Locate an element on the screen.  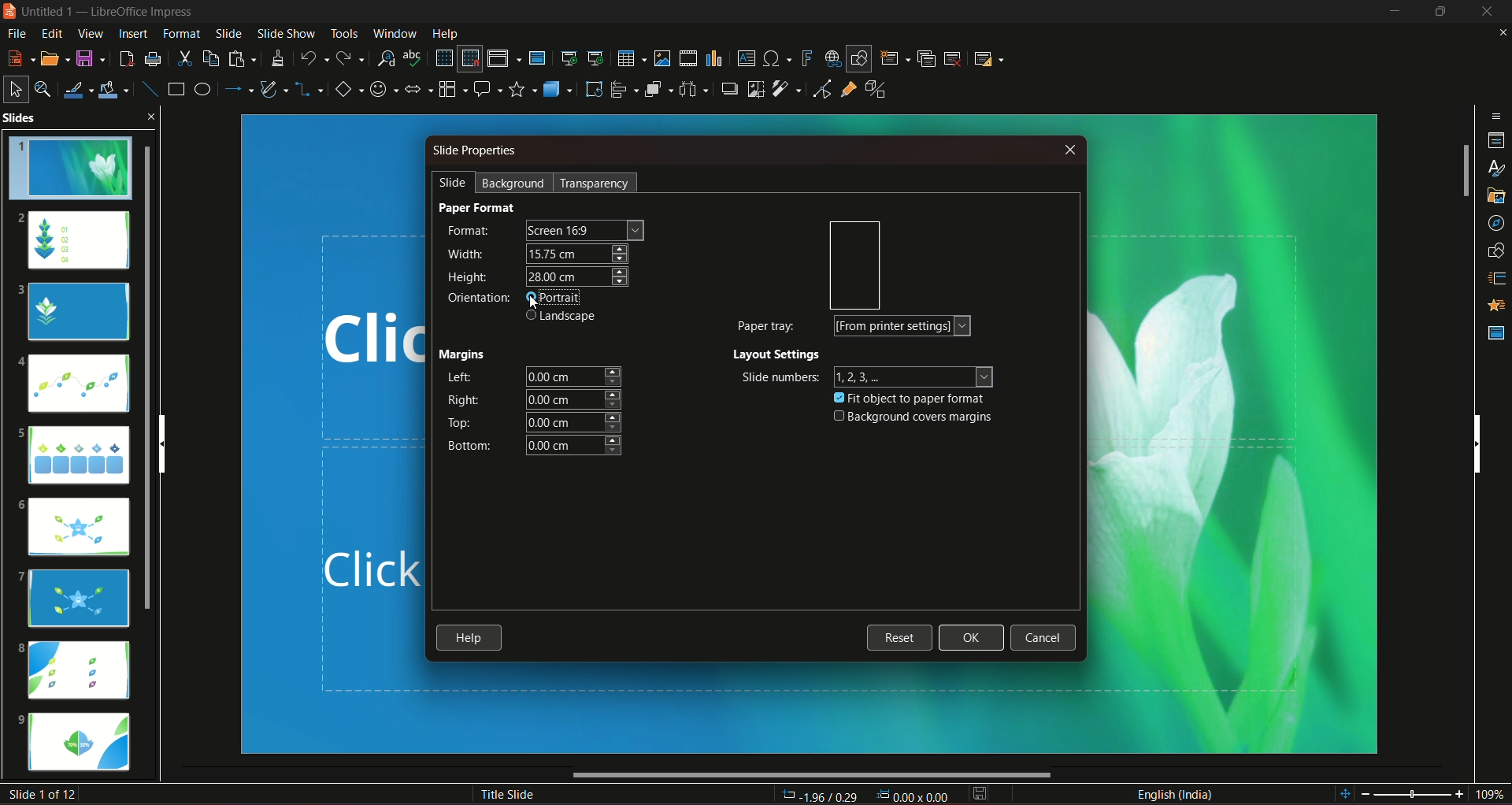
cursor  is located at coordinates (536, 314).